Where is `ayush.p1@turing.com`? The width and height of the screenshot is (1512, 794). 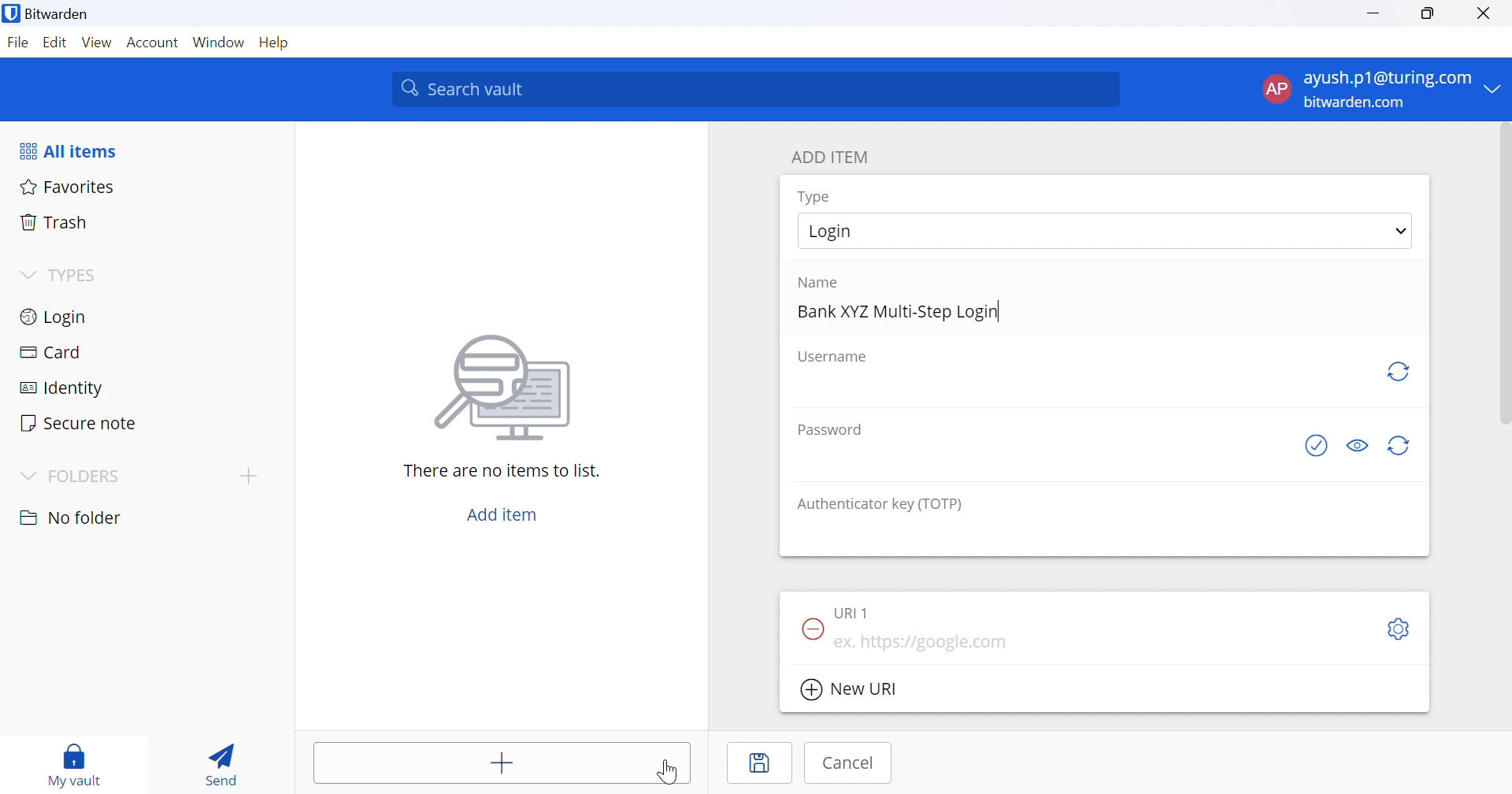
ayush.p1@turing.com is located at coordinates (1388, 78).